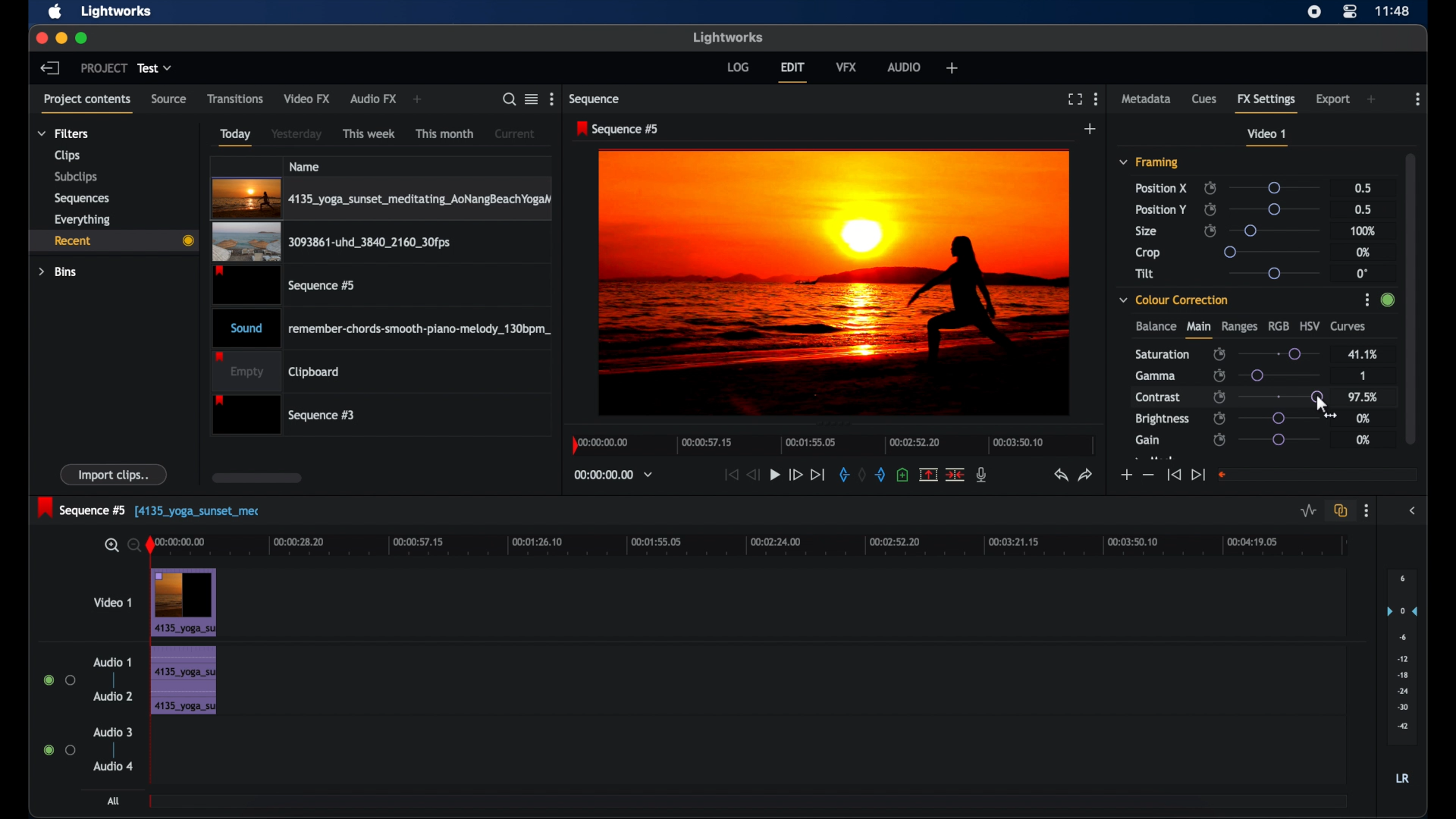 The width and height of the screenshot is (1456, 819). Describe the element at coordinates (419, 100) in the screenshot. I see `add` at that location.